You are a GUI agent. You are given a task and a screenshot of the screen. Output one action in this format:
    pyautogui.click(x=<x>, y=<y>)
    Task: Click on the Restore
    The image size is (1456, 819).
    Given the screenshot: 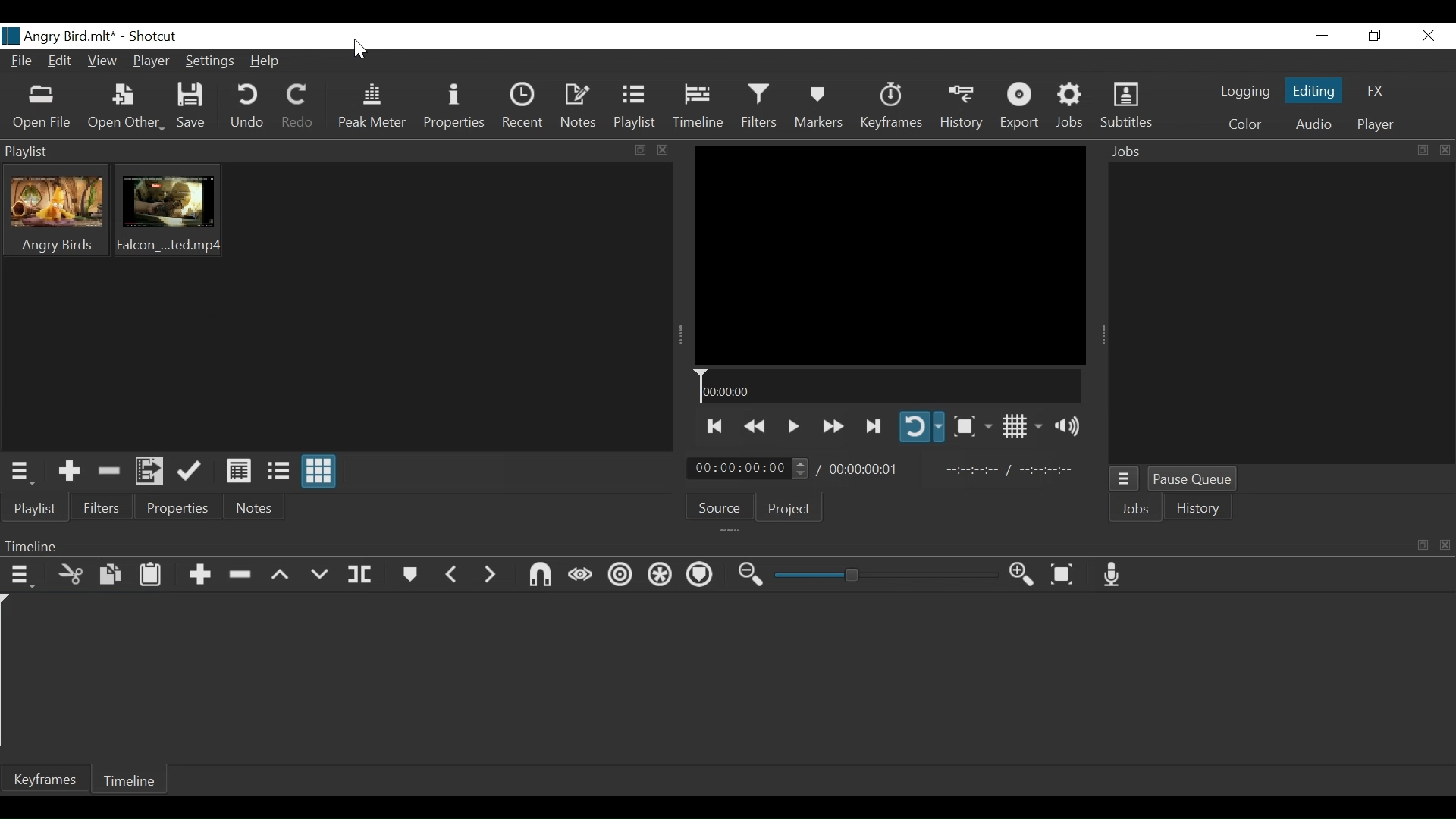 What is the action you would take?
    pyautogui.click(x=1376, y=35)
    